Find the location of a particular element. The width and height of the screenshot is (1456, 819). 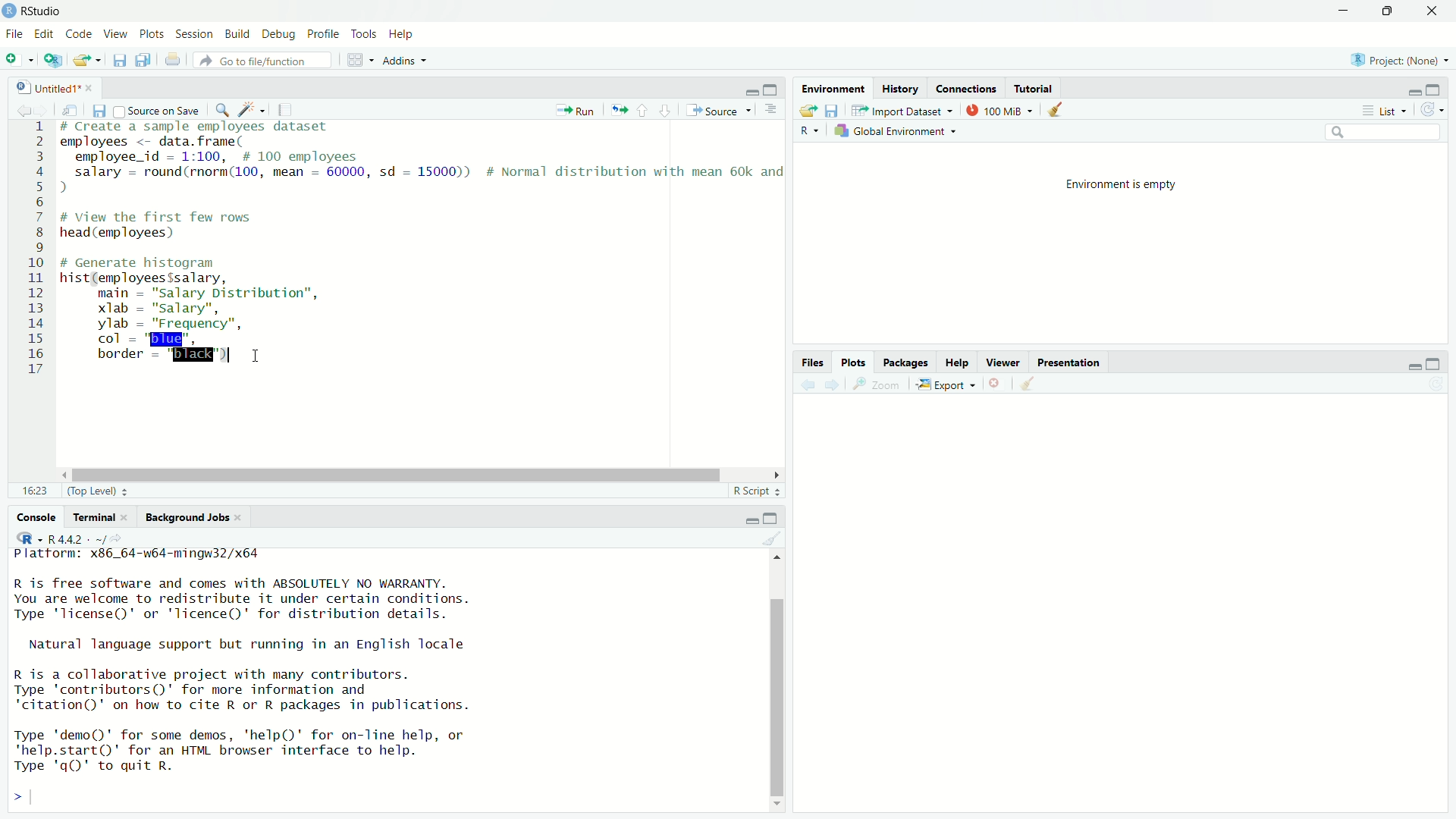

grid is located at coordinates (362, 60).